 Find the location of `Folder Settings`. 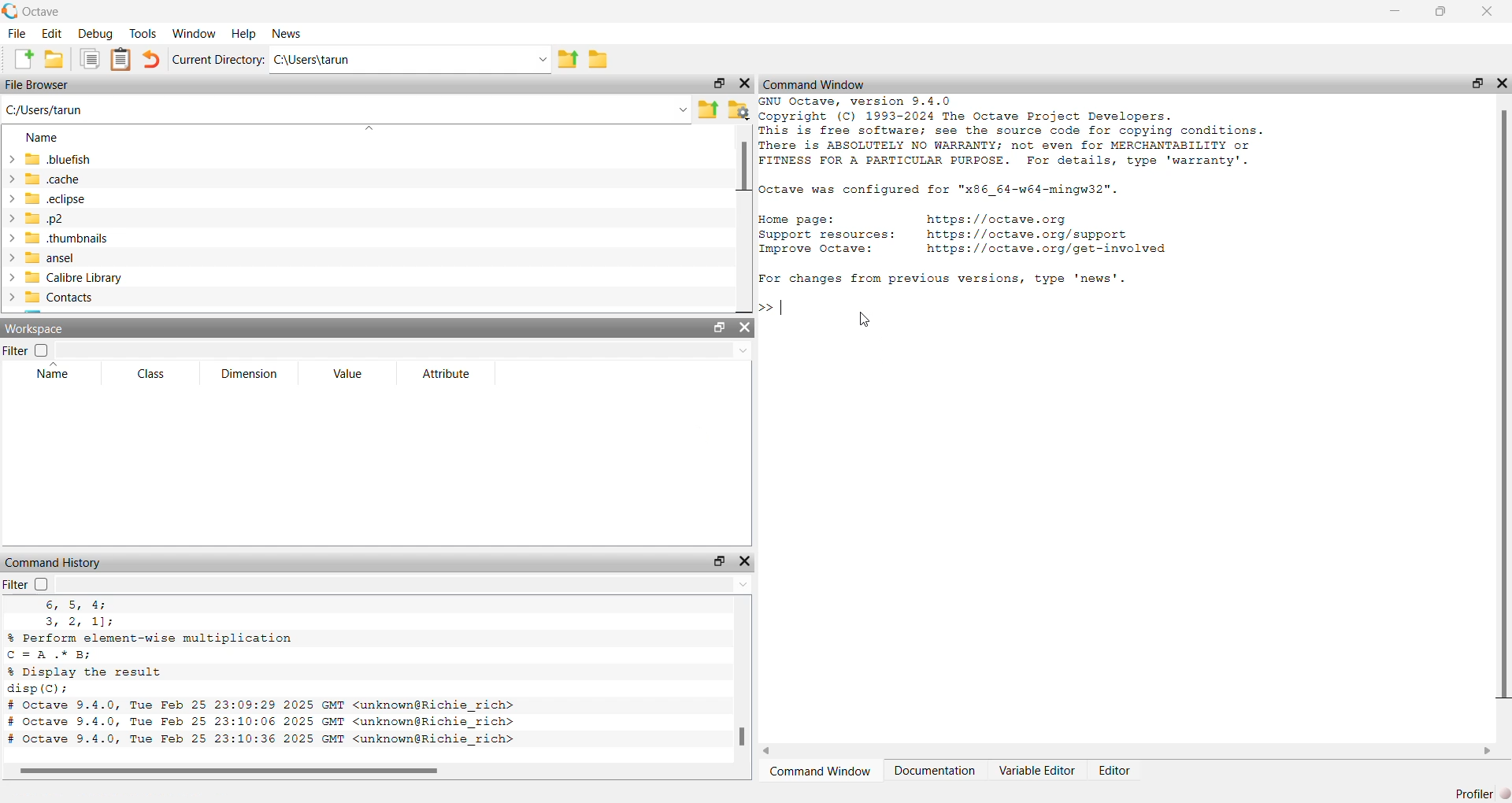

Folder Settings is located at coordinates (739, 109).